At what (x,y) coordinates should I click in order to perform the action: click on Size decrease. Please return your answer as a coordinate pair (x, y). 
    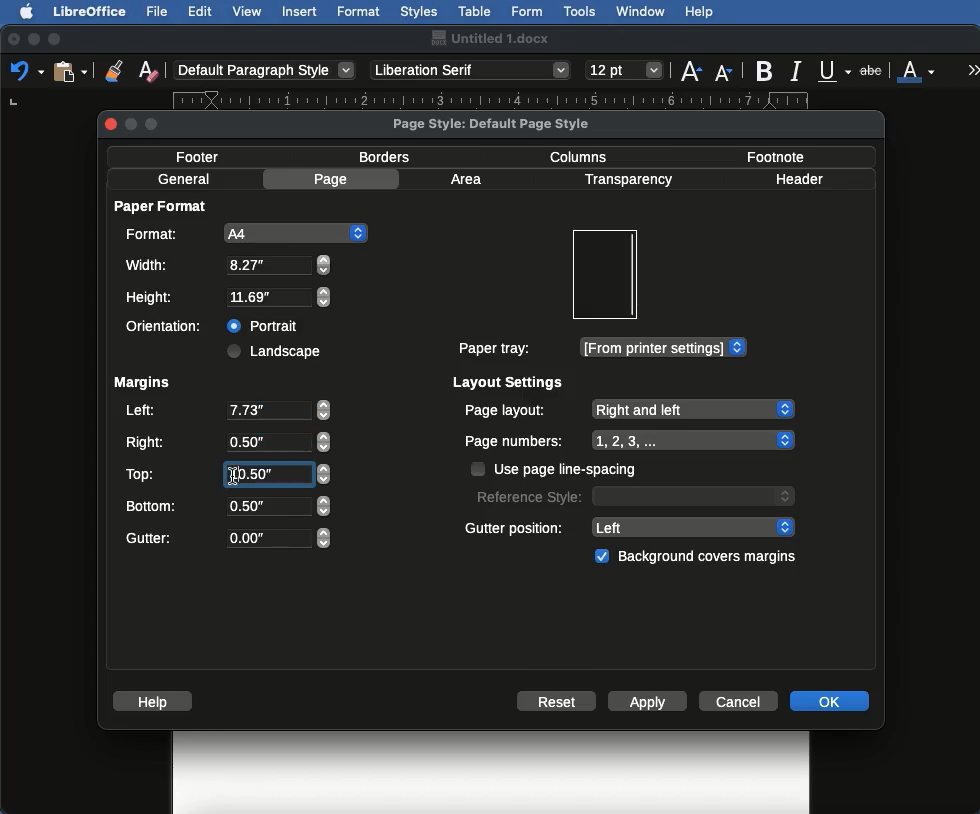
    Looking at the image, I should click on (728, 72).